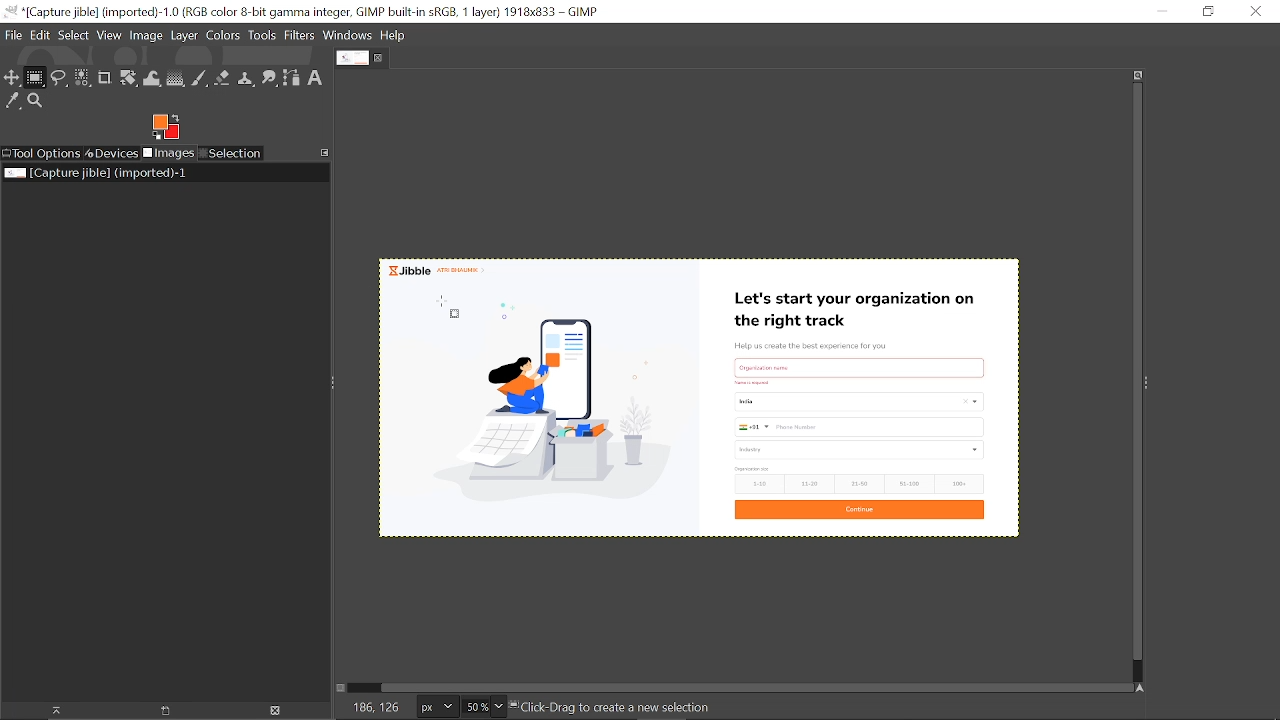 This screenshot has width=1280, height=720. I want to click on Gradient tool, so click(176, 79).